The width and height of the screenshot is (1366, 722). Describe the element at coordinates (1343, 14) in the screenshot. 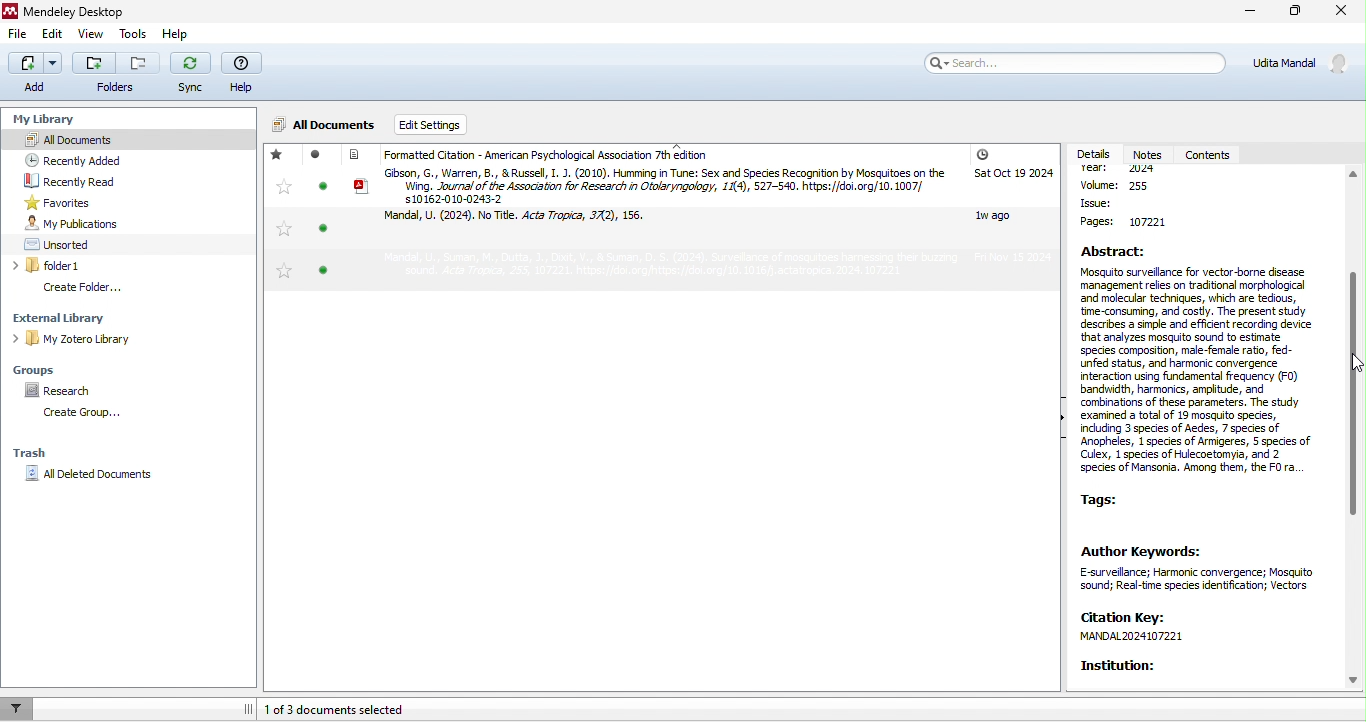

I see `close` at that location.